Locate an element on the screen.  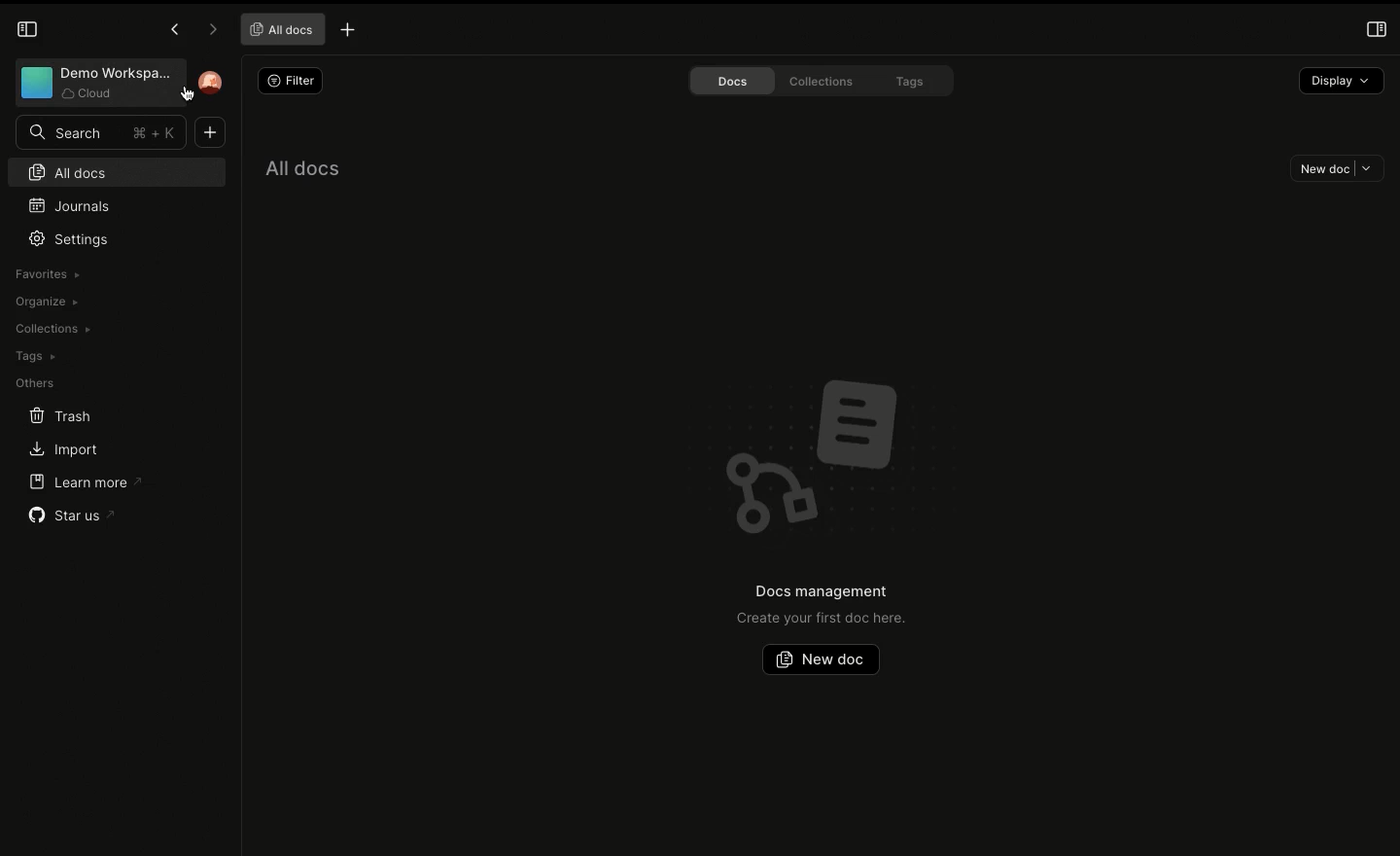
Journals is located at coordinates (71, 206).